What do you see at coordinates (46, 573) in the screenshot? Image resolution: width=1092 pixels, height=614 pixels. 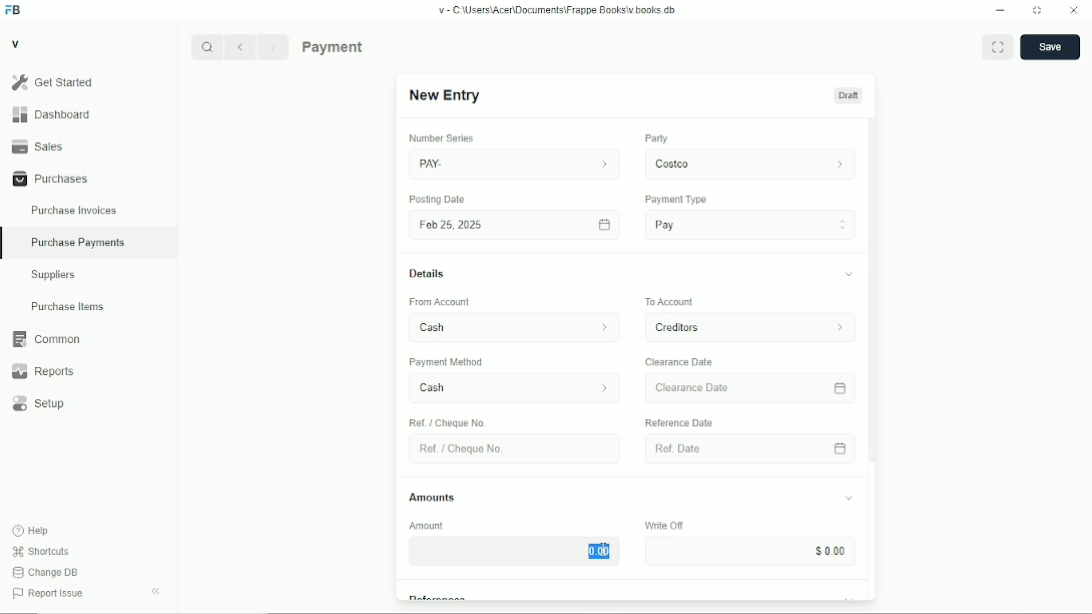 I see `Change DB` at bounding box center [46, 573].